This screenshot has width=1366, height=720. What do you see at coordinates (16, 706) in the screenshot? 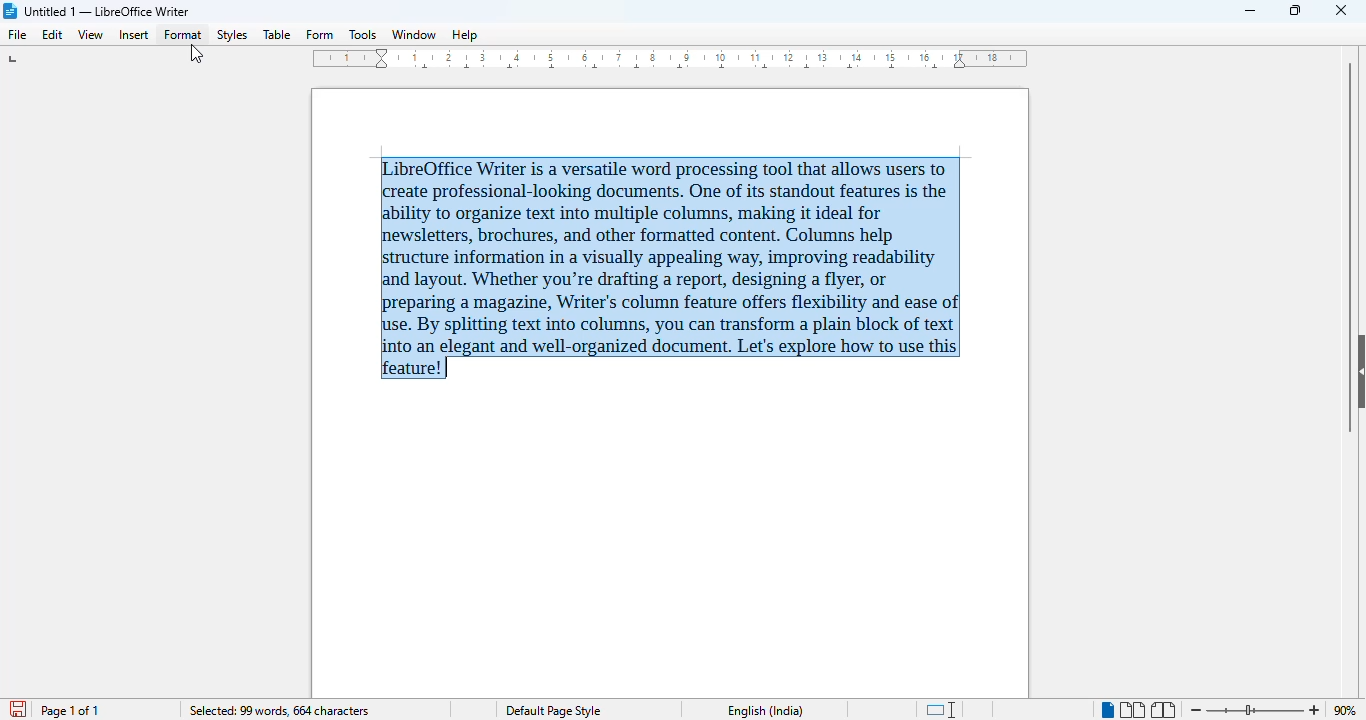
I see `save document` at bounding box center [16, 706].